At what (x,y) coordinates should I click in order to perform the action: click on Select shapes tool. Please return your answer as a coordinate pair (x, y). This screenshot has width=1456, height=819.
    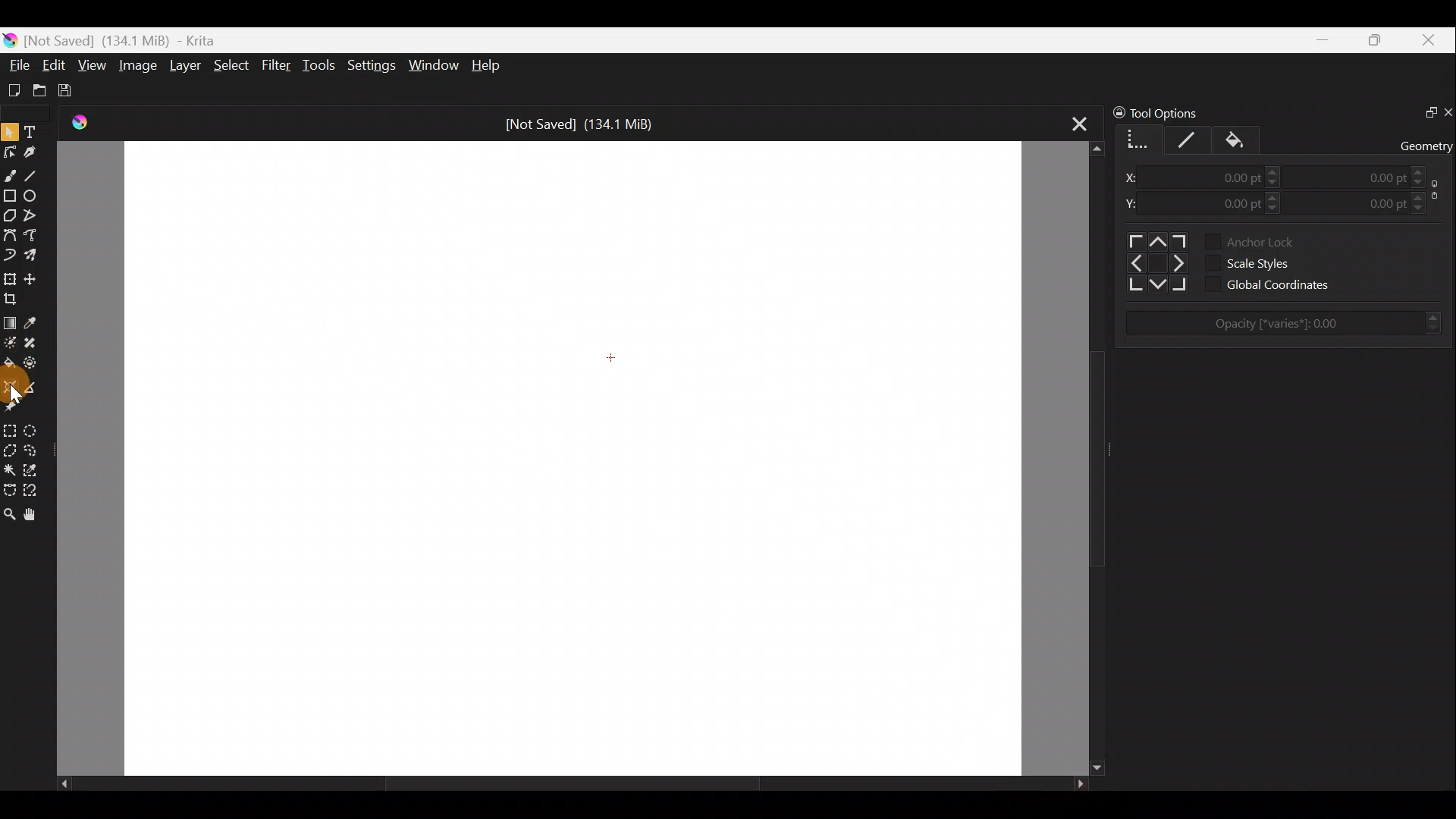
    Looking at the image, I should click on (10, 129).